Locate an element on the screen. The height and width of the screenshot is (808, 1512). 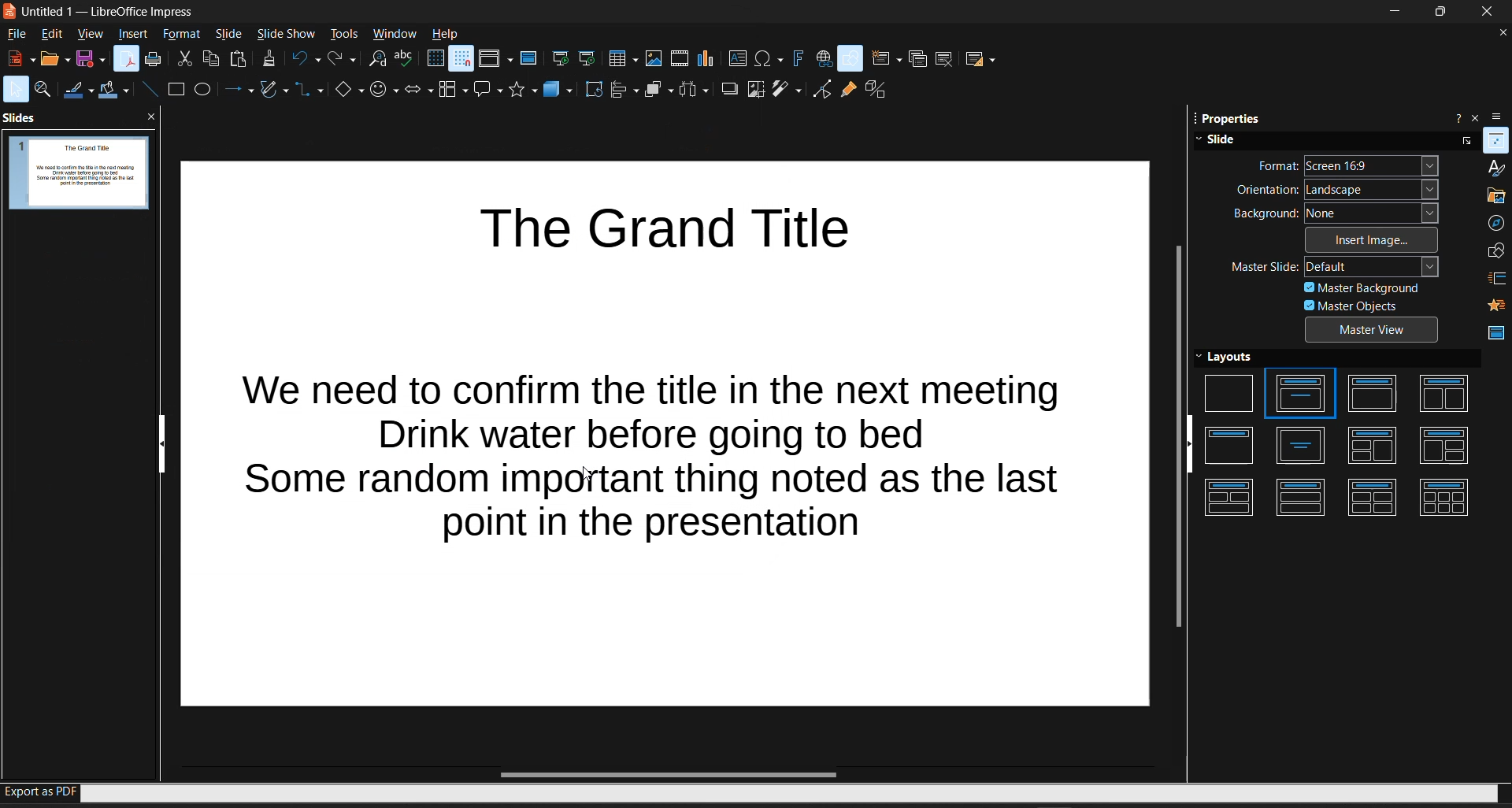
close document is located at coordinates (1499, 32).